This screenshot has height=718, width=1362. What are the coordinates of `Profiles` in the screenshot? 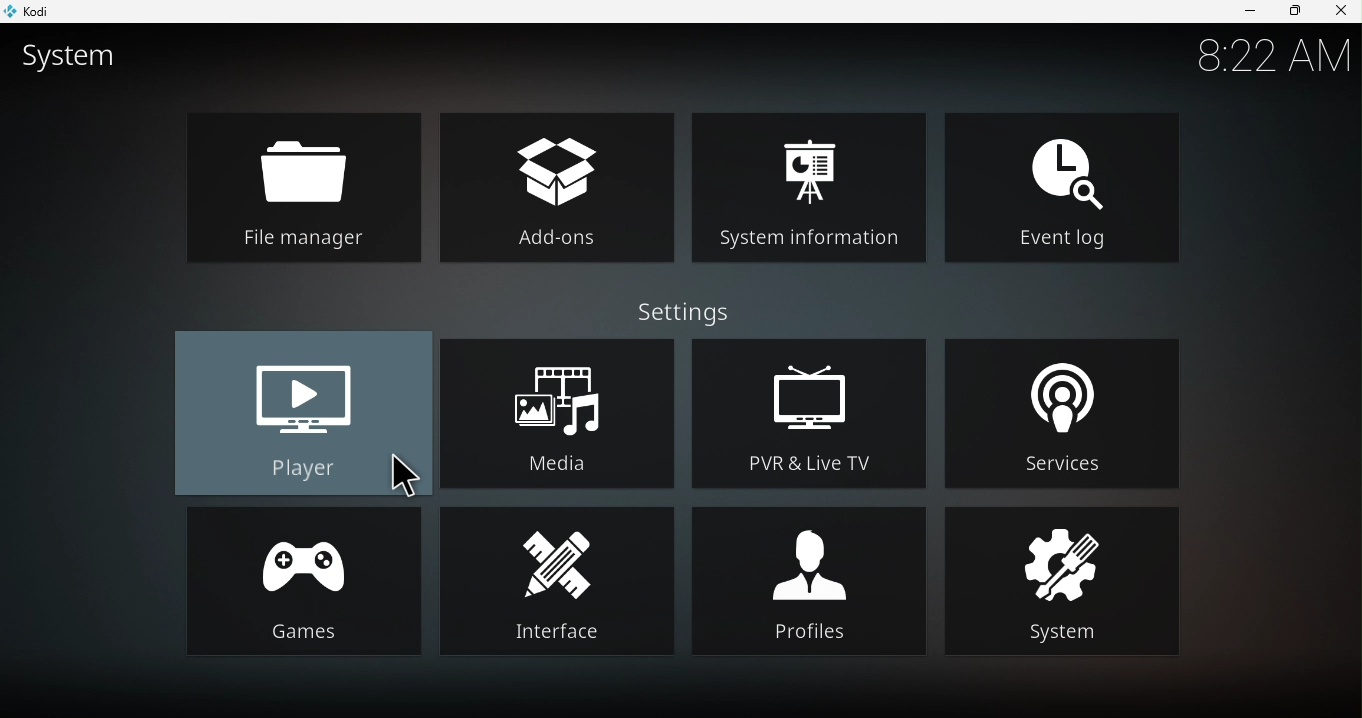 It's located at (809, 579).